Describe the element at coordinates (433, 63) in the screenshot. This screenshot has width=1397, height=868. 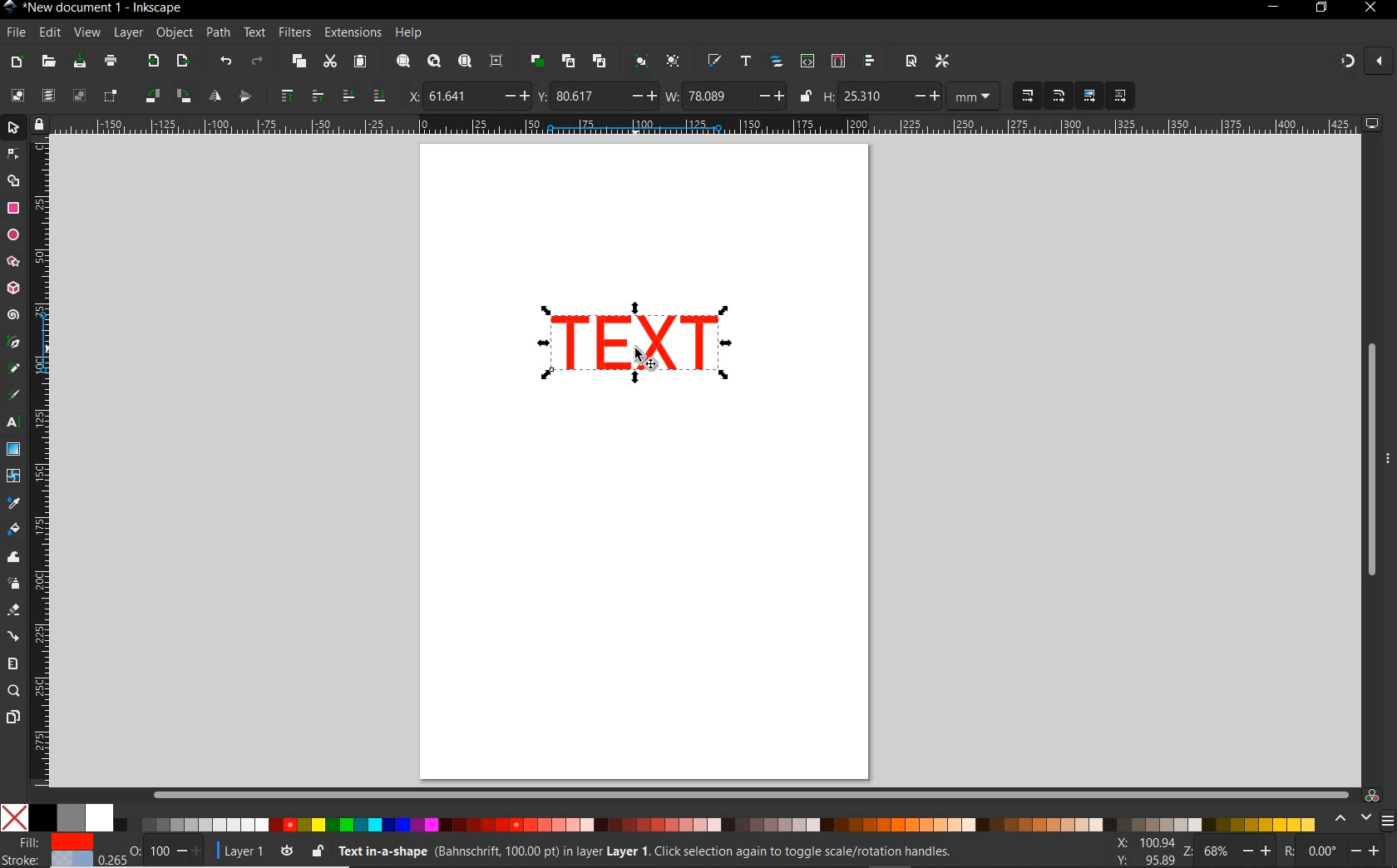
I see `zoom drawing` at that location.